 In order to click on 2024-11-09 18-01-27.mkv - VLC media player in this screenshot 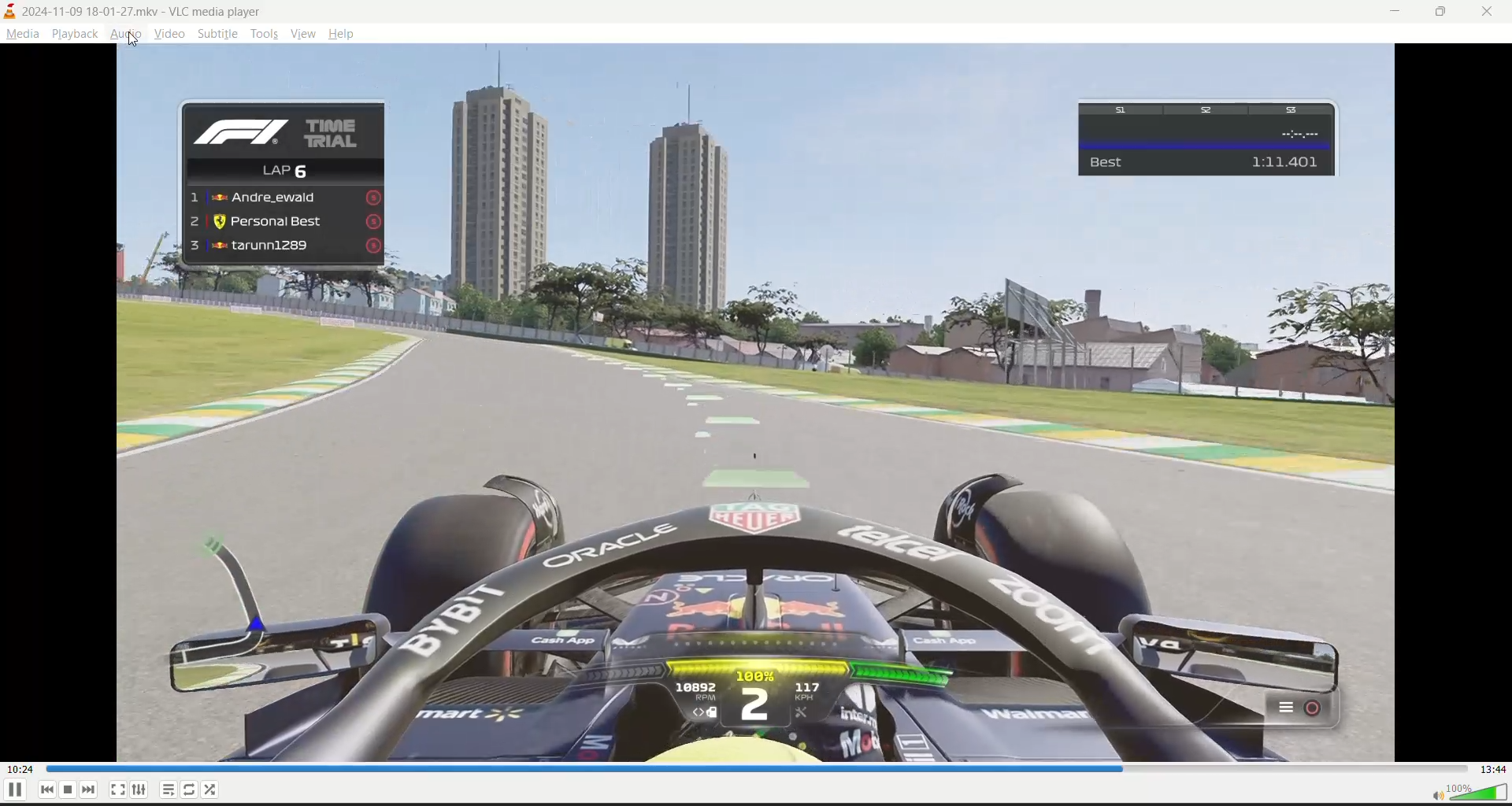, I will do `click(134, 11)`.